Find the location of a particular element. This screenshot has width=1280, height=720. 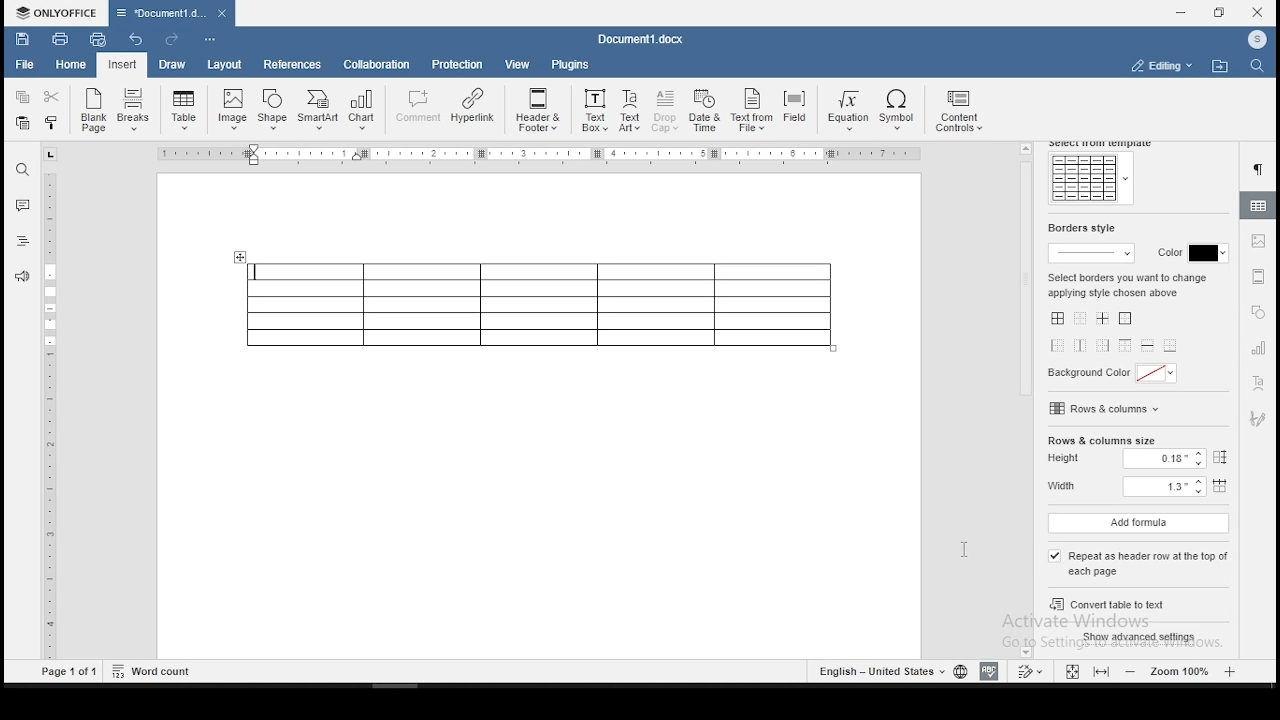

select workspace is located at coordinates (1159, 64).